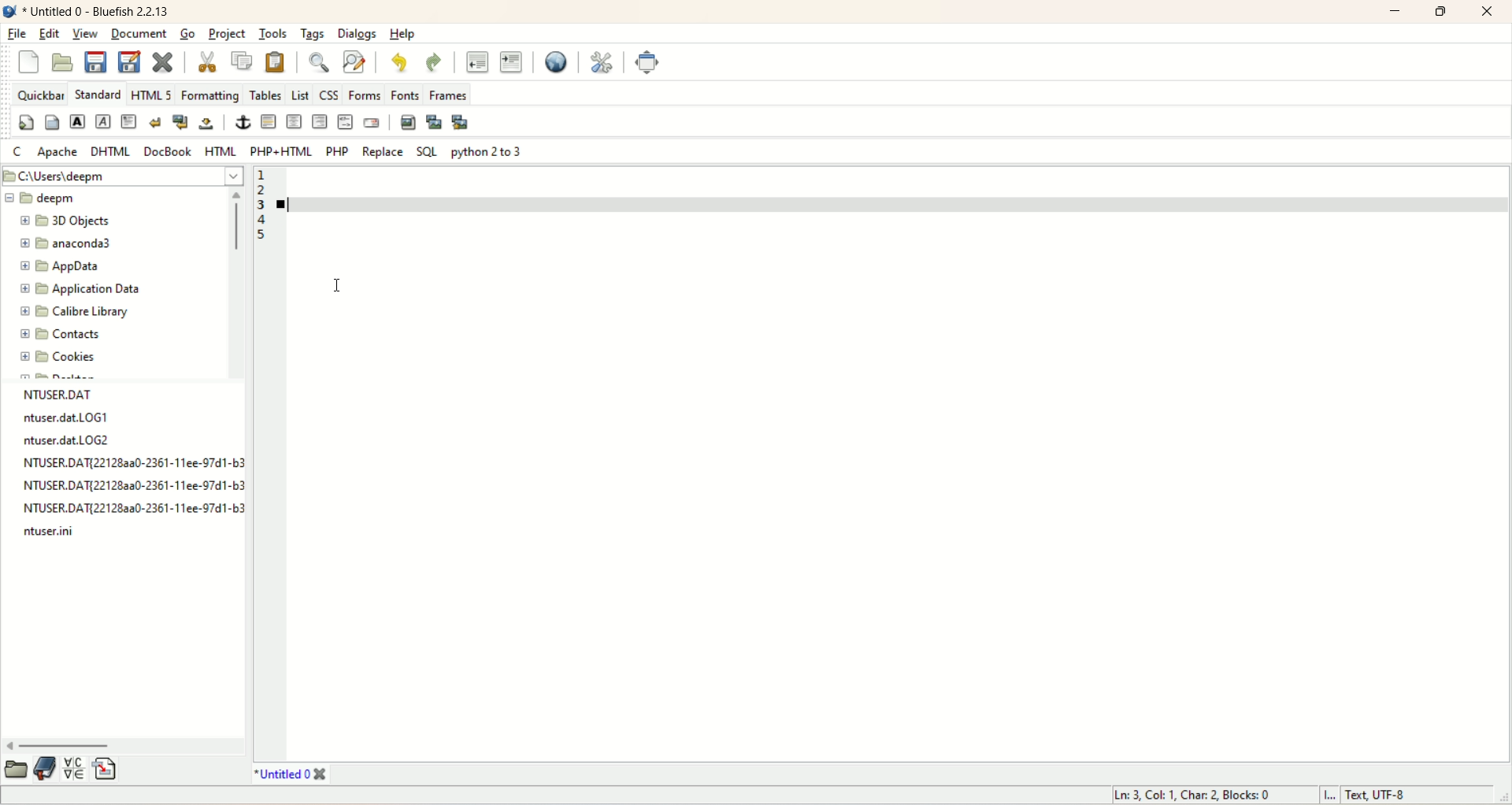  Describe the element at coordinates (62, 63) in the screenshot. I see `open file` at that location.